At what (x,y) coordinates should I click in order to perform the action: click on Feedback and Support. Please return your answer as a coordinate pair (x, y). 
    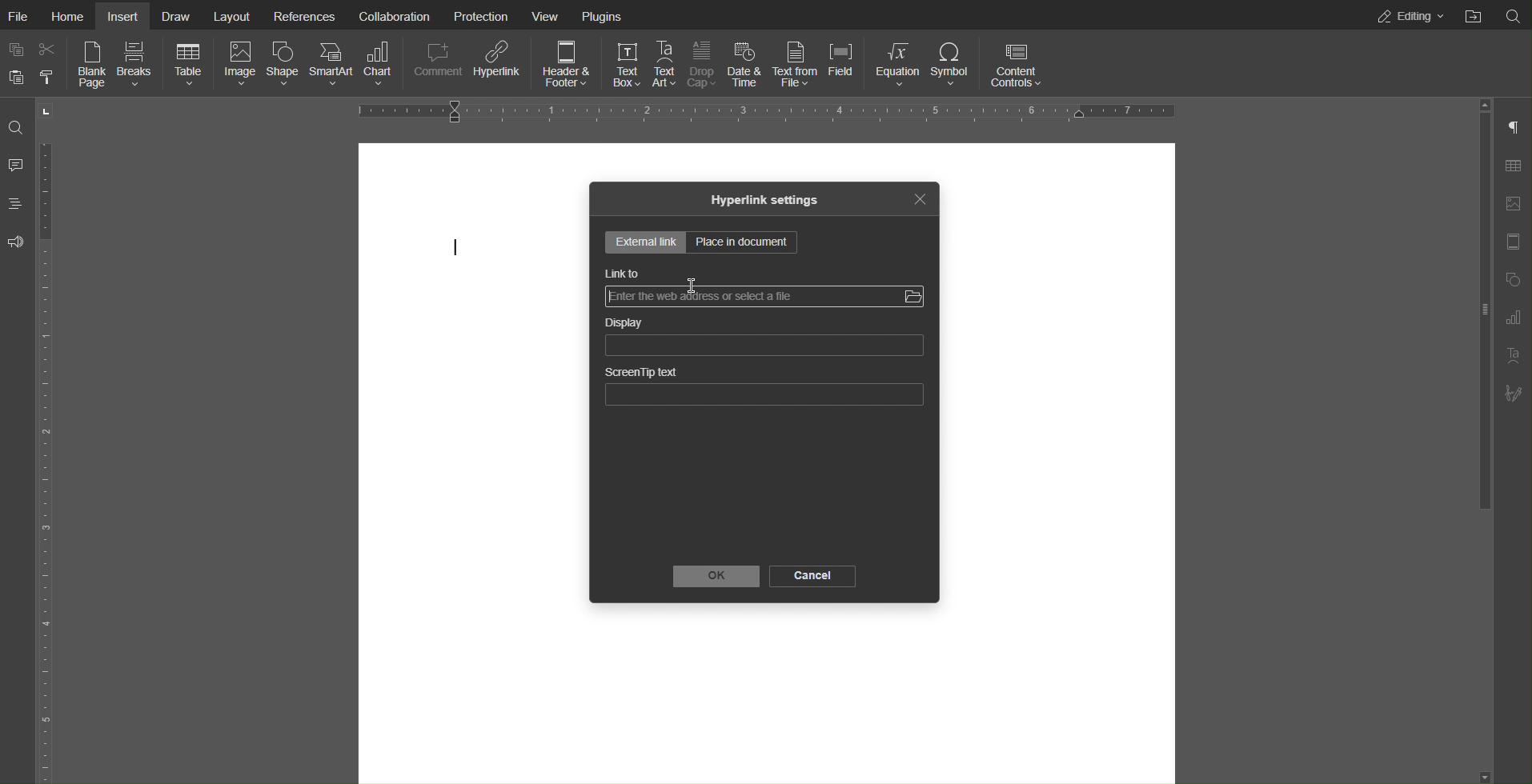
    Looking at the image, I should click on (16, 243).